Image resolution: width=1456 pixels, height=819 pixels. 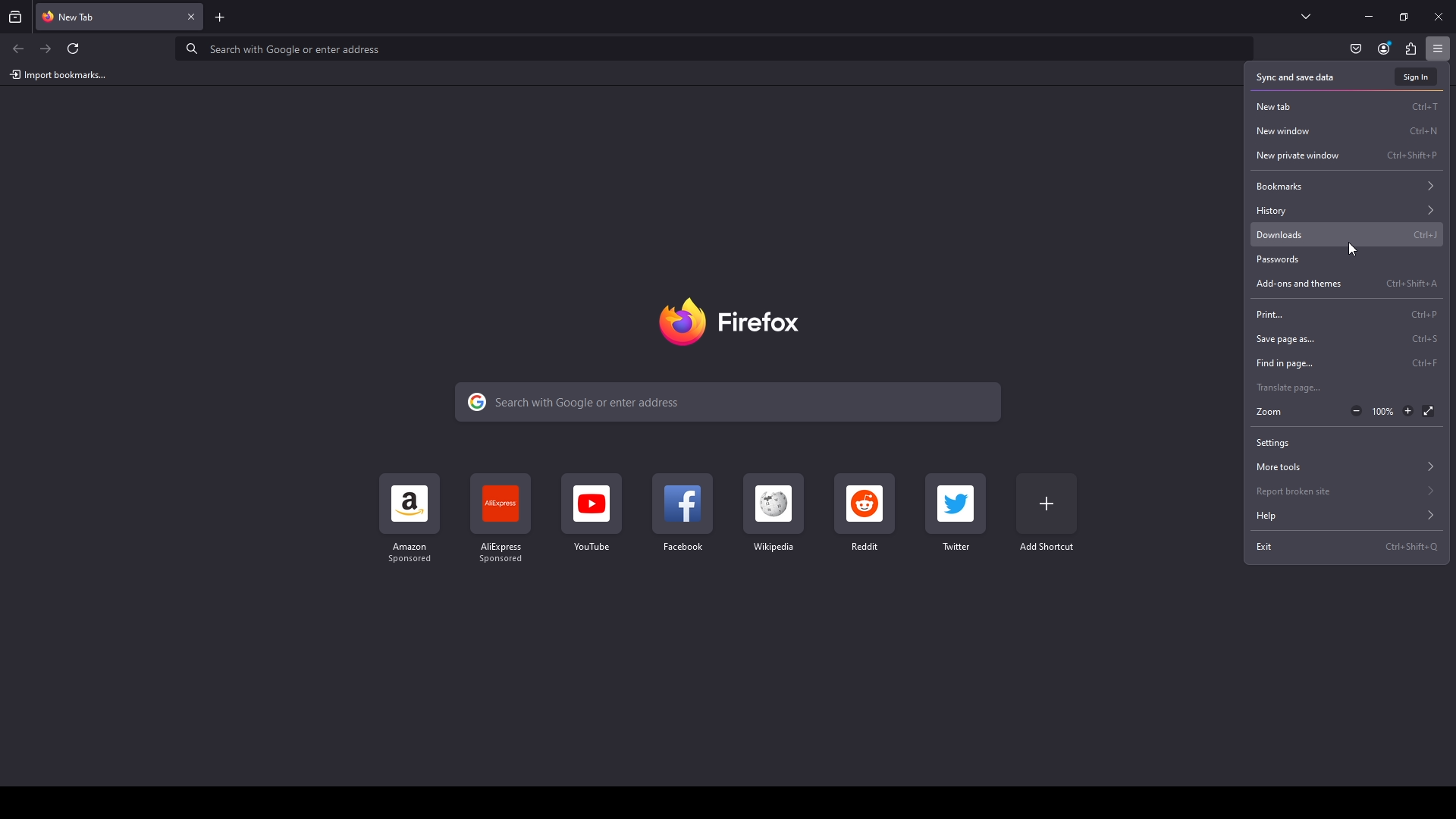 I want to click on Refresh, so click(x=74, y=49).